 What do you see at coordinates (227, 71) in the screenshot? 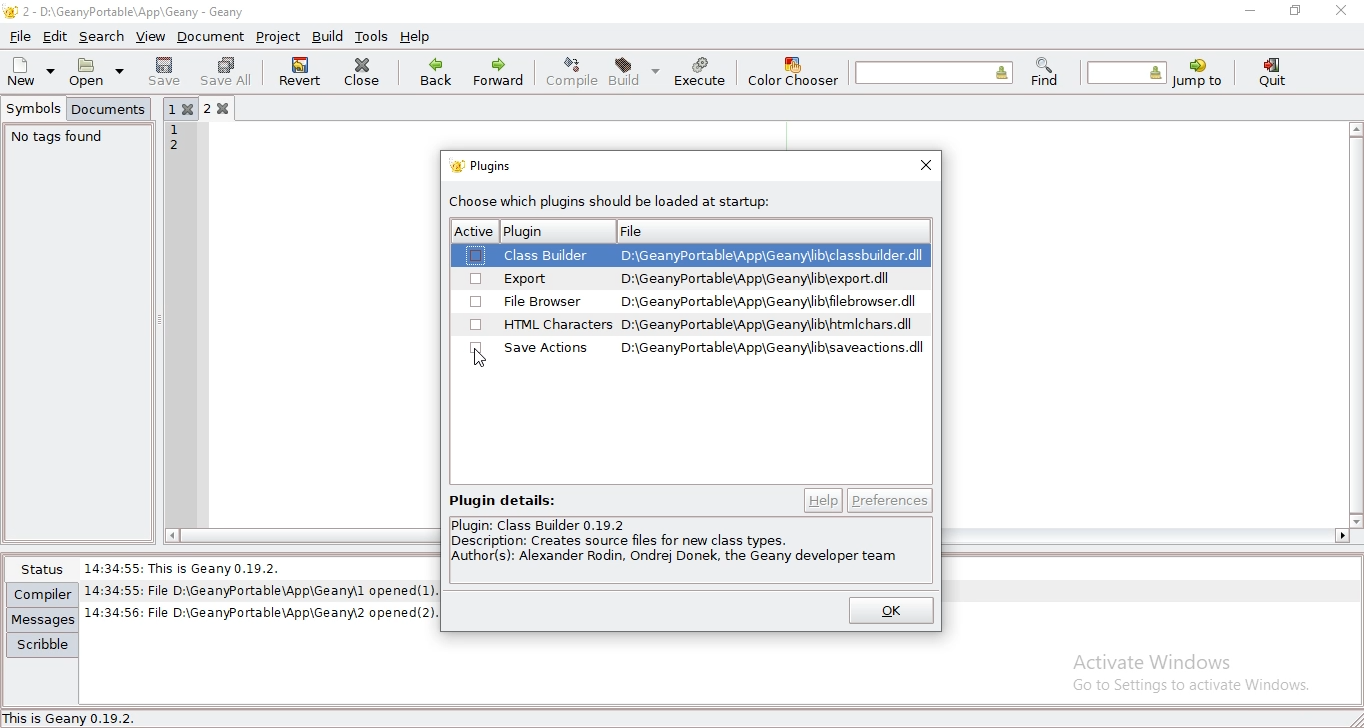
I see `save all` at bounding box center [227, 71].